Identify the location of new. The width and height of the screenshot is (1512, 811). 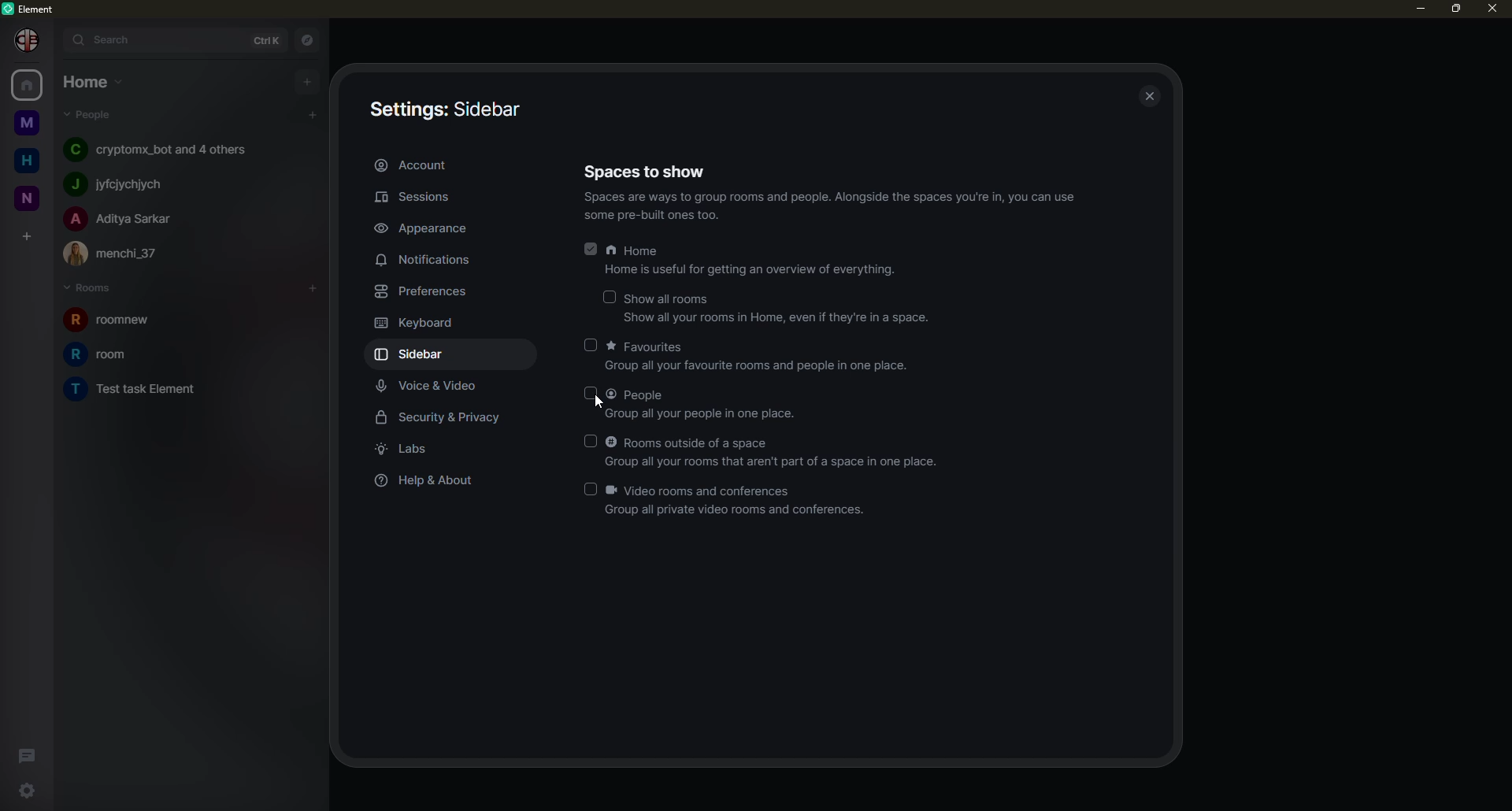
(24, 195).